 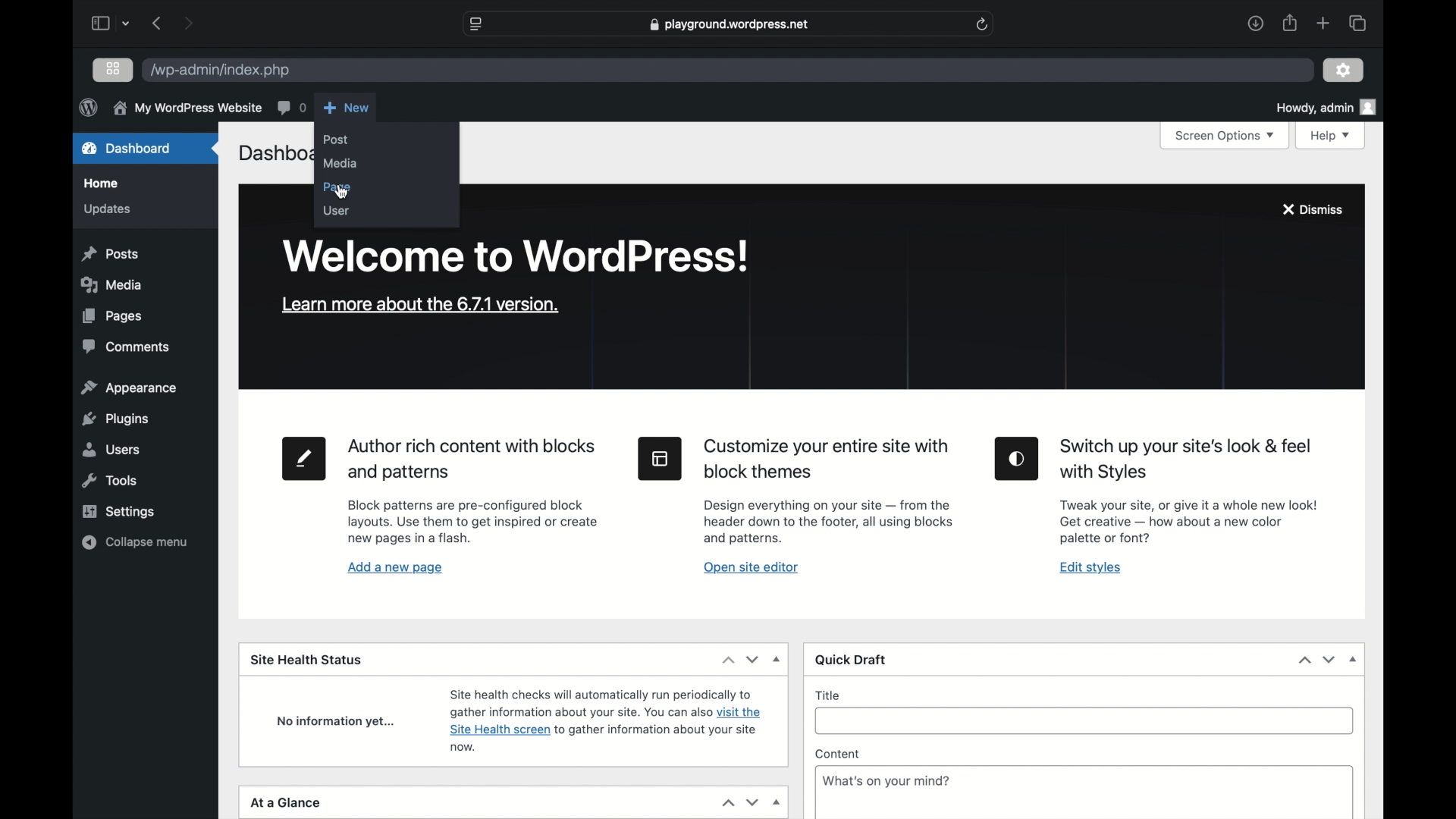 What do you see at coordinates (606, 717) in the screenshot?
I see `site health check information` at bounding box center [606, 717].